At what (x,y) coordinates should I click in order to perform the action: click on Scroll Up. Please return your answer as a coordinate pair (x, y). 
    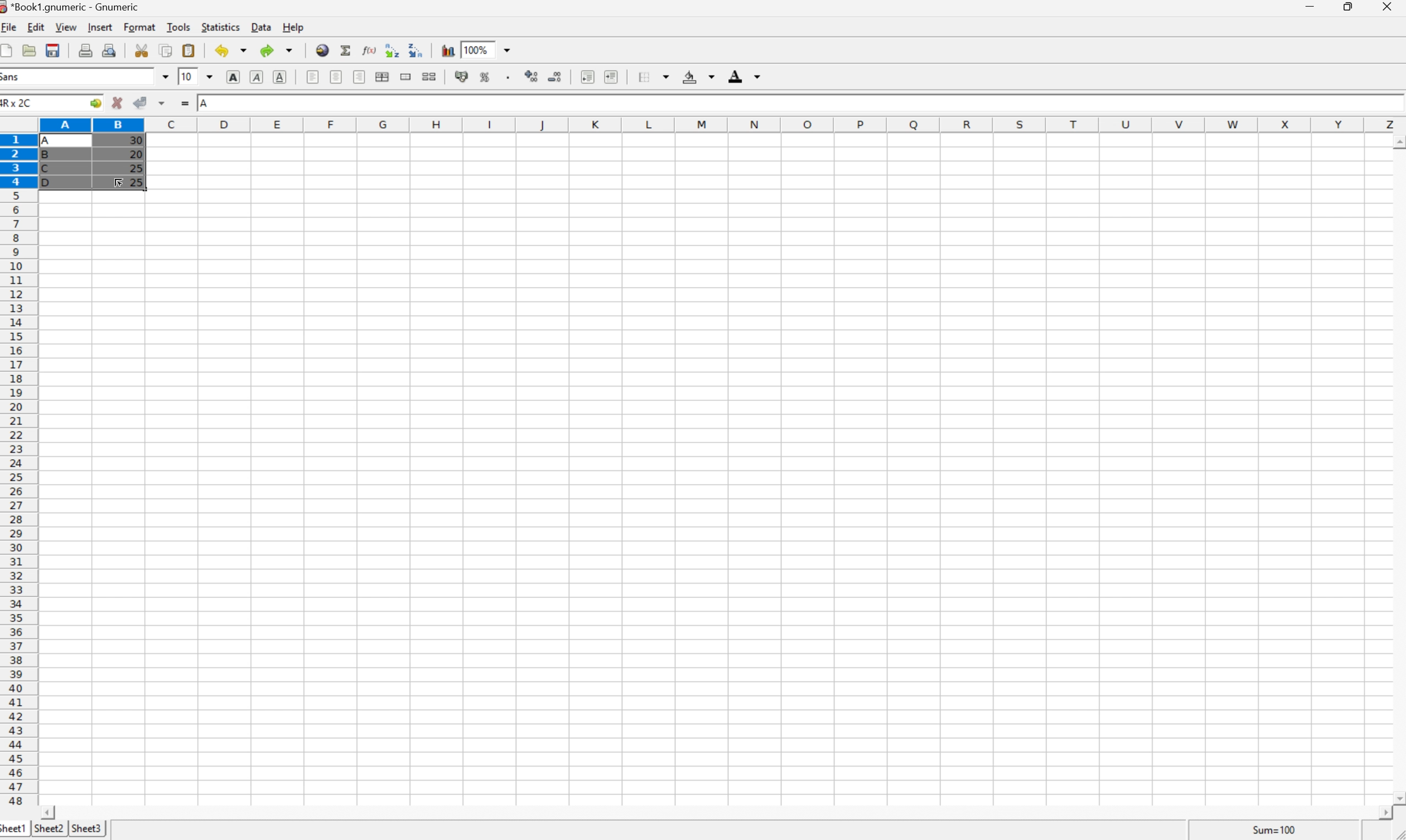
    Looking at the image, I should click on (1397, 140).